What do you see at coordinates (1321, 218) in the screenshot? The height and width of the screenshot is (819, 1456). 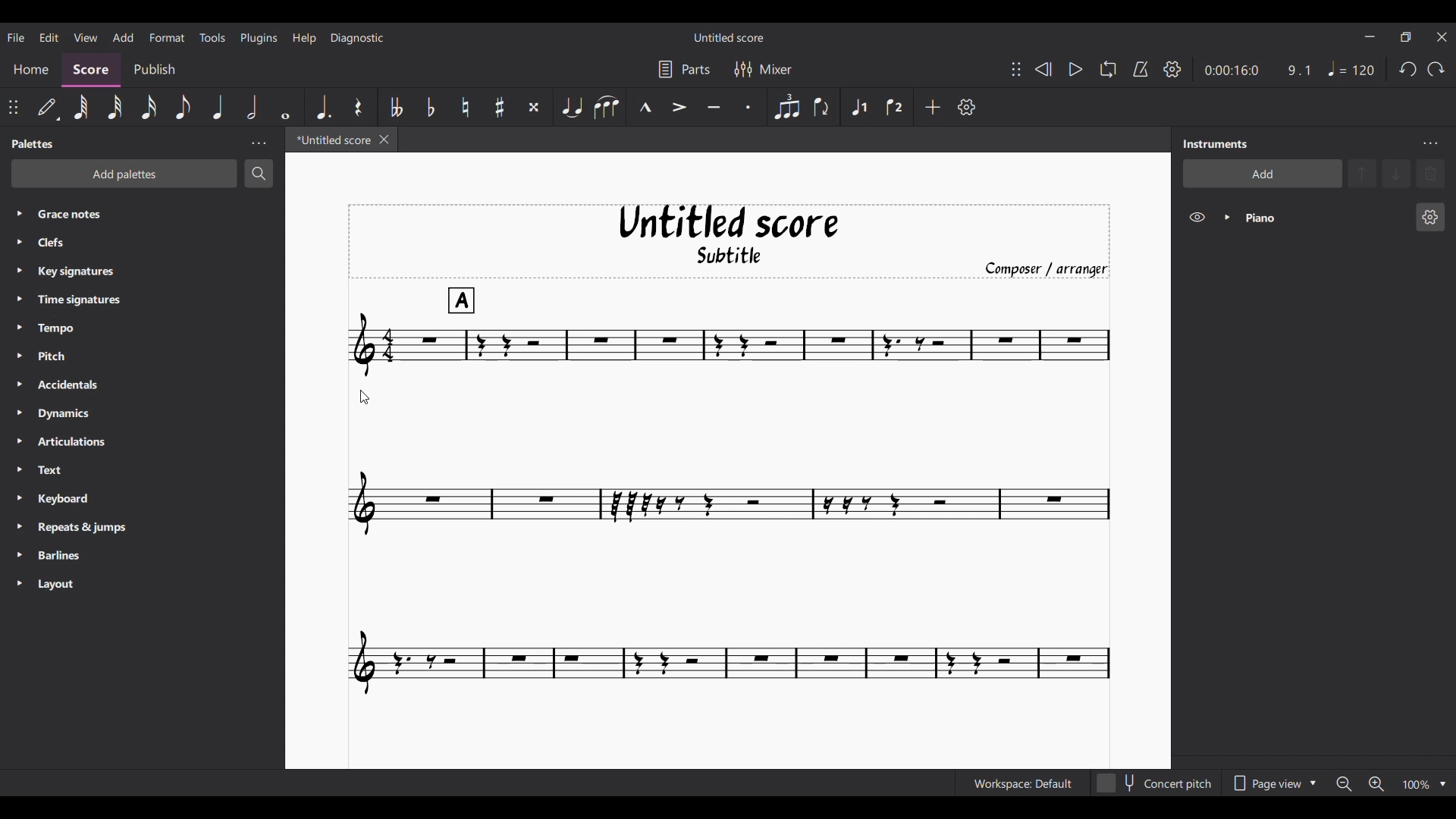 I see `Current instrument` at bounding box center [1321, 218].